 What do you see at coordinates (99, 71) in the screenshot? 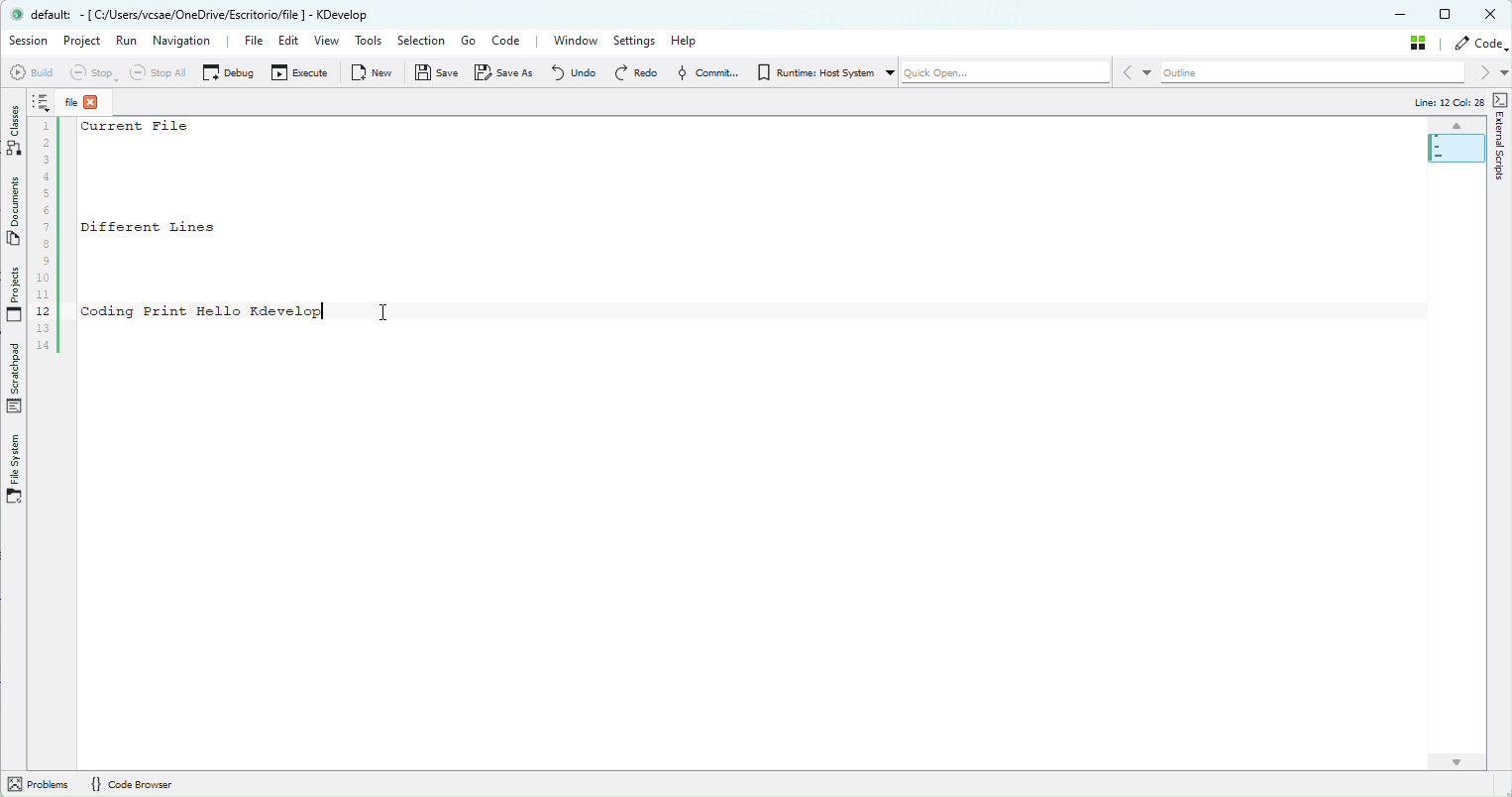
I see `Stop` at bounding box center [99, 71].